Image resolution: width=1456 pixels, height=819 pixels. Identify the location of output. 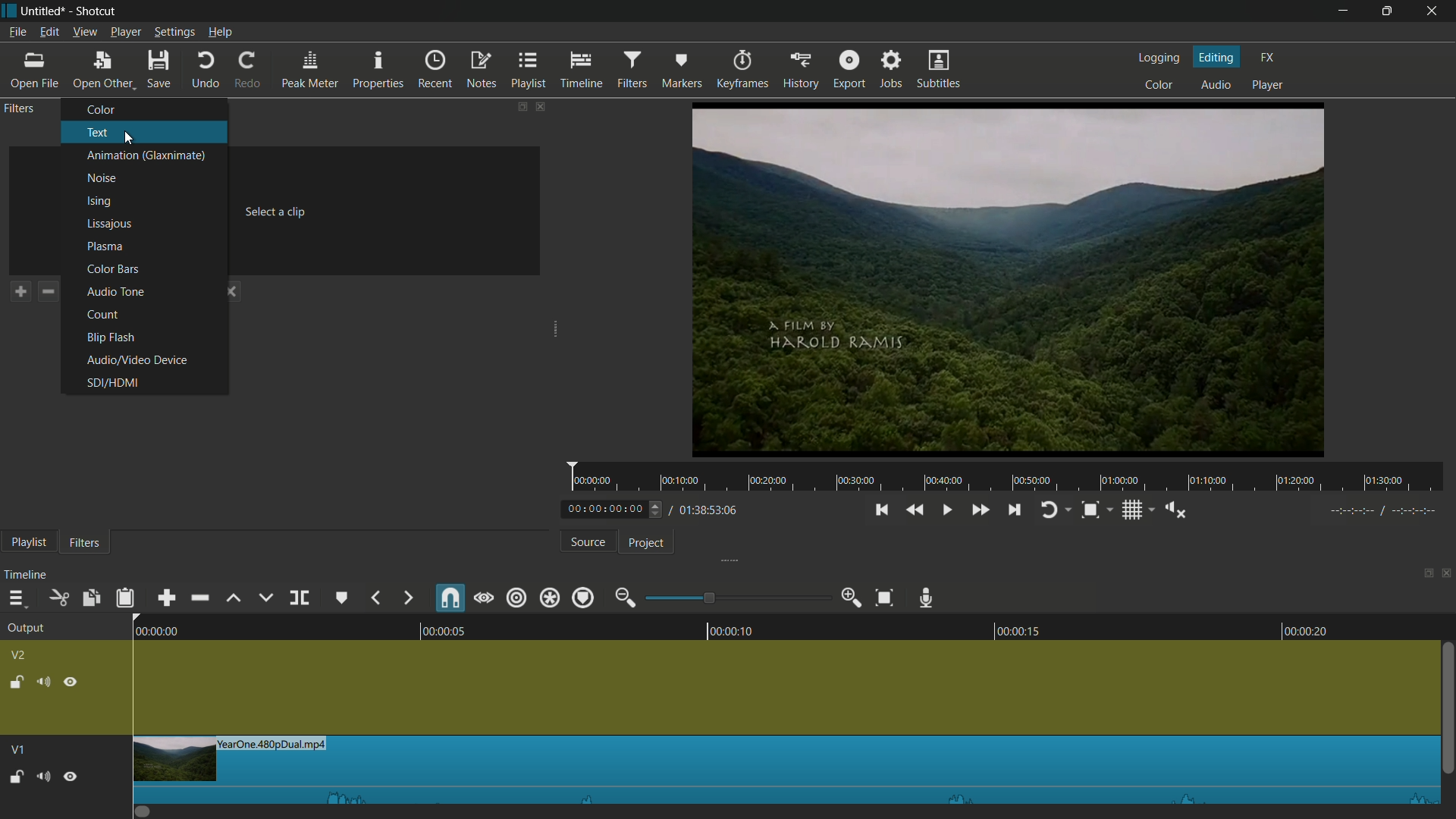
(24, 629).